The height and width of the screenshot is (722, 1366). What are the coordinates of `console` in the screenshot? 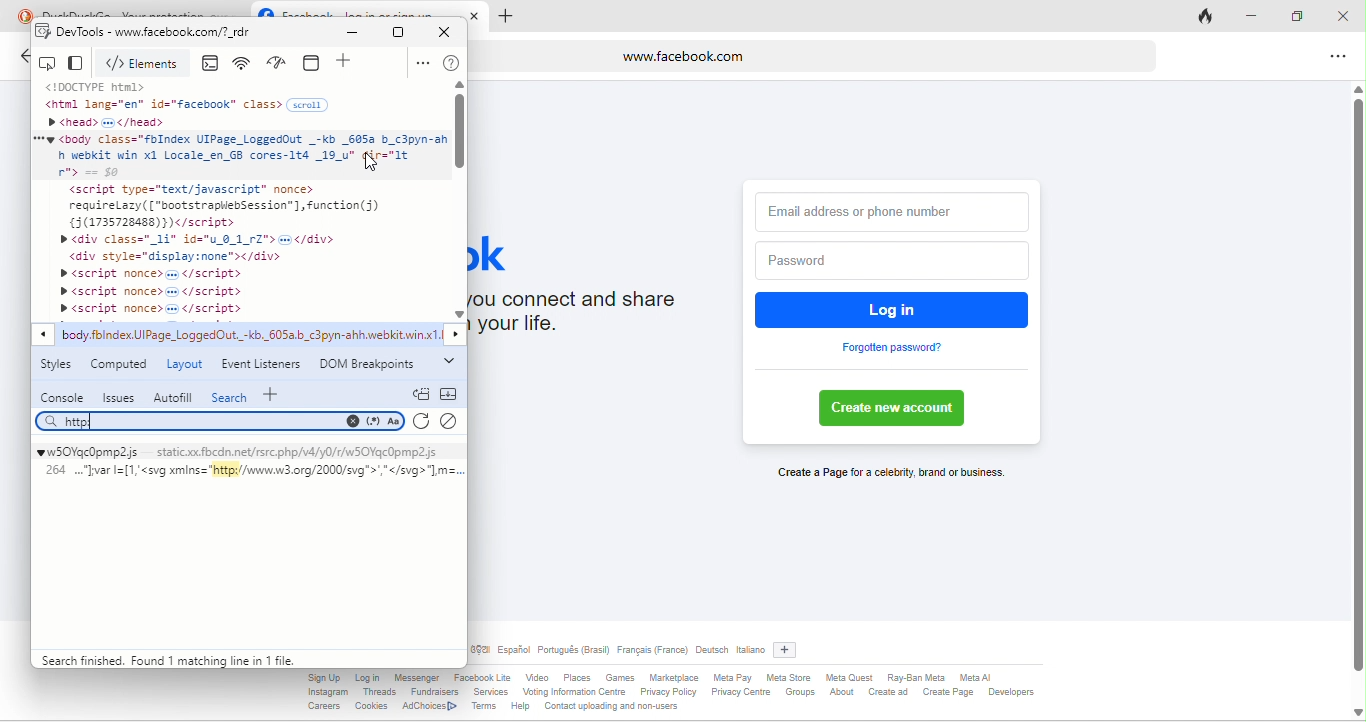 It's located at (63, 397).